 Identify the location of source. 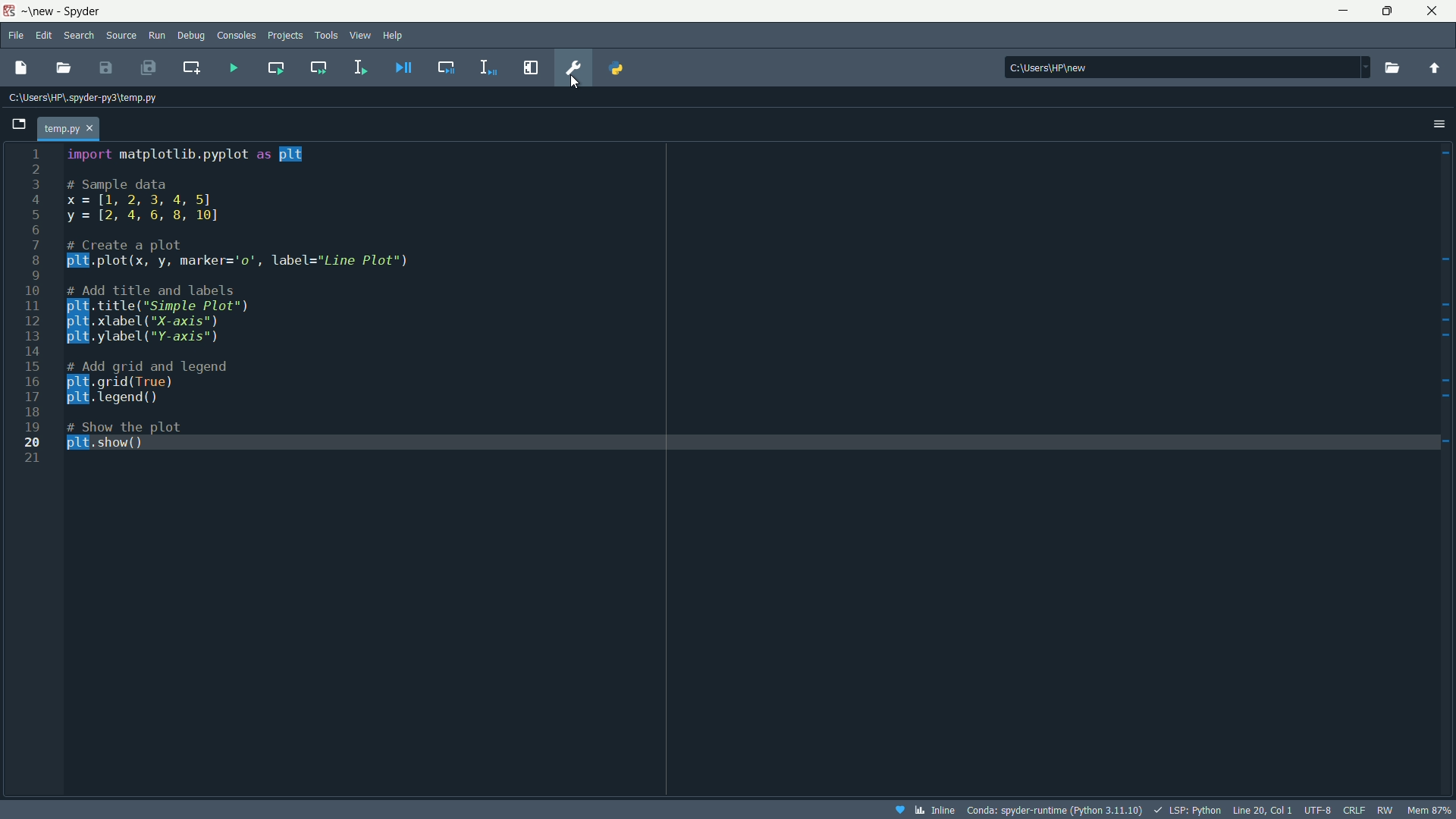
(121, 36).